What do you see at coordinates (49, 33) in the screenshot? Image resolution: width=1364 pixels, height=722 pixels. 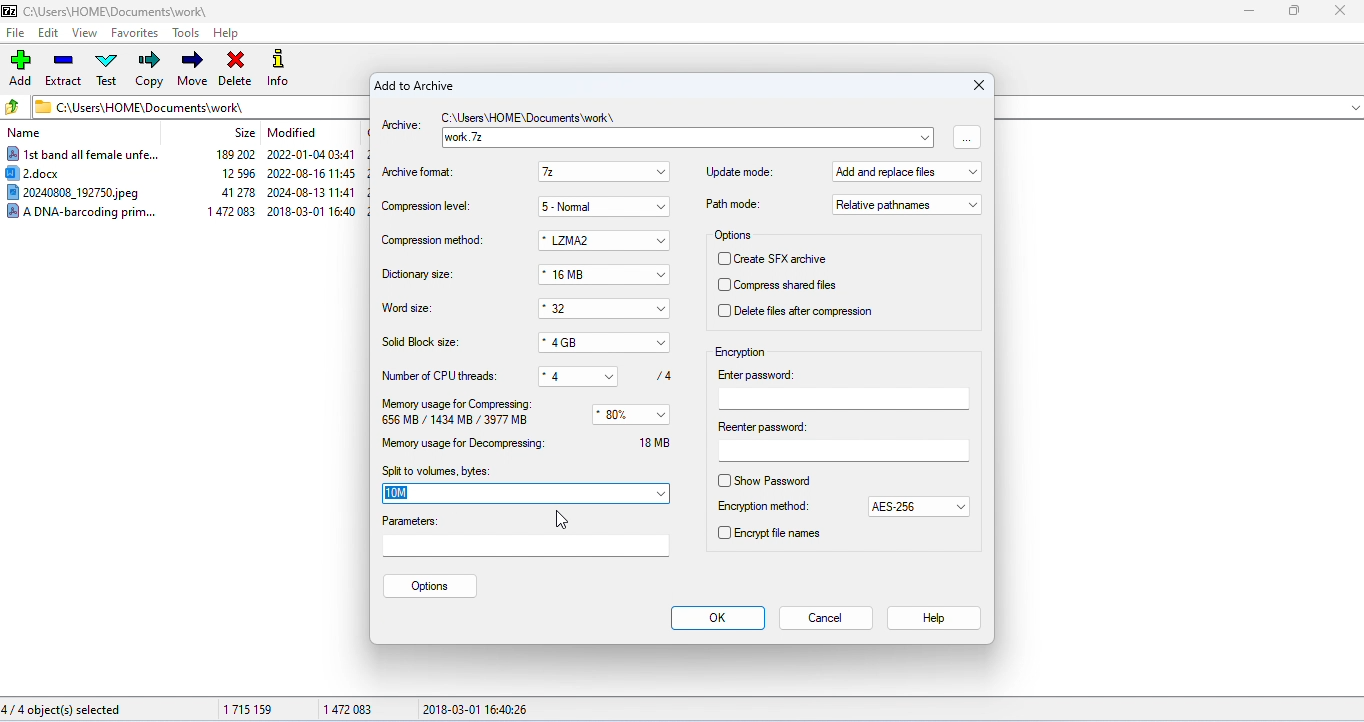 I see `edit` at bounding box center [49, 33].